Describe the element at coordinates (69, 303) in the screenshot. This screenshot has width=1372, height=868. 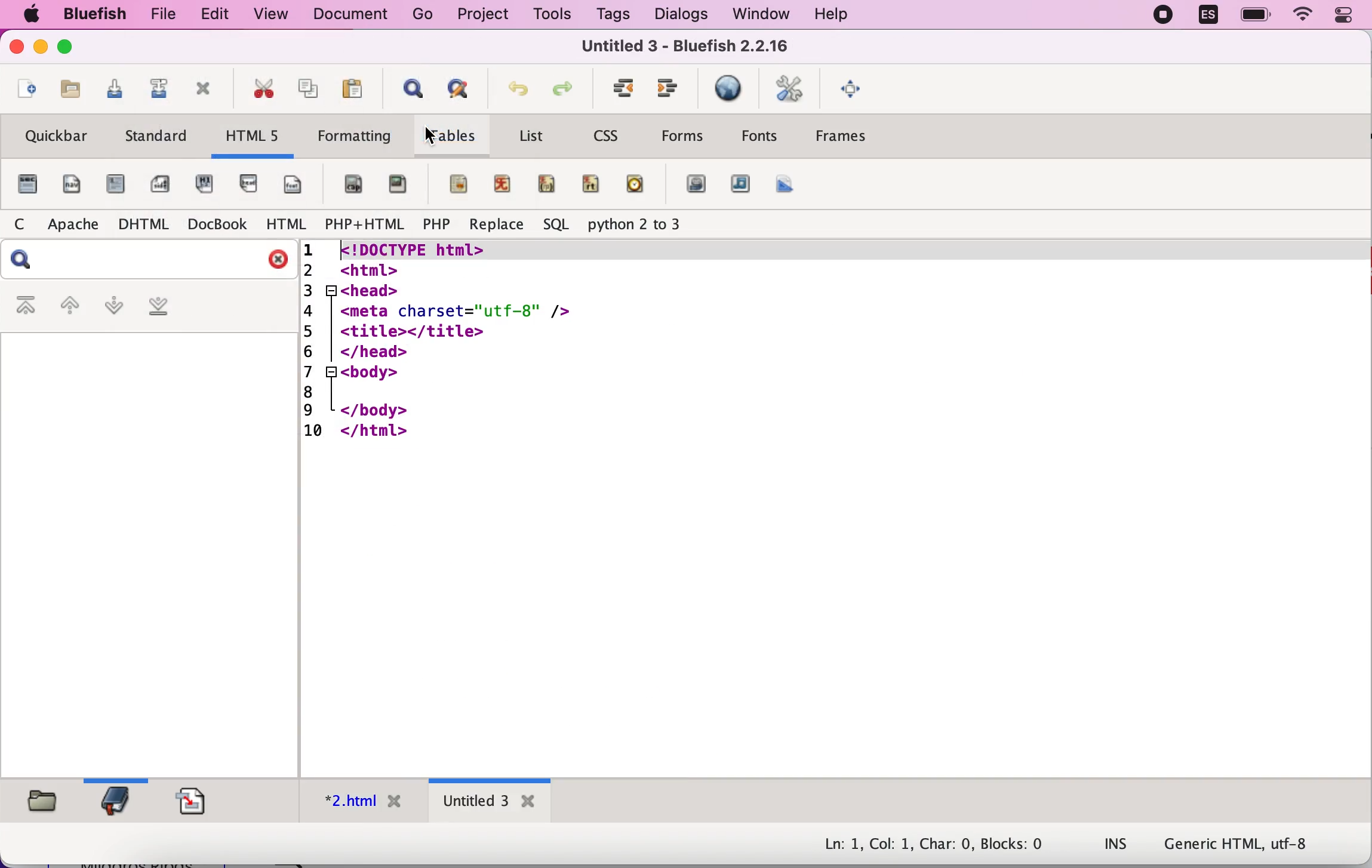
I see `previous bookmark` at that location.